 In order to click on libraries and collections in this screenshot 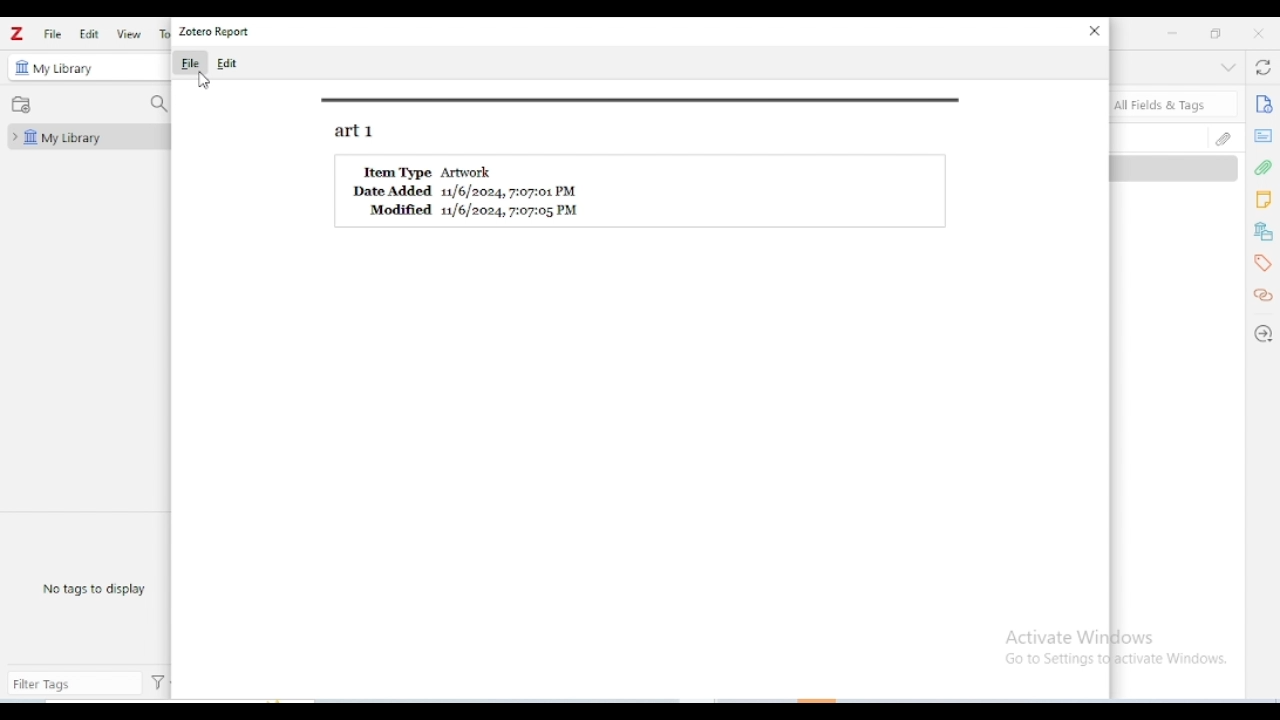, I will do `click(1264, 232)`.